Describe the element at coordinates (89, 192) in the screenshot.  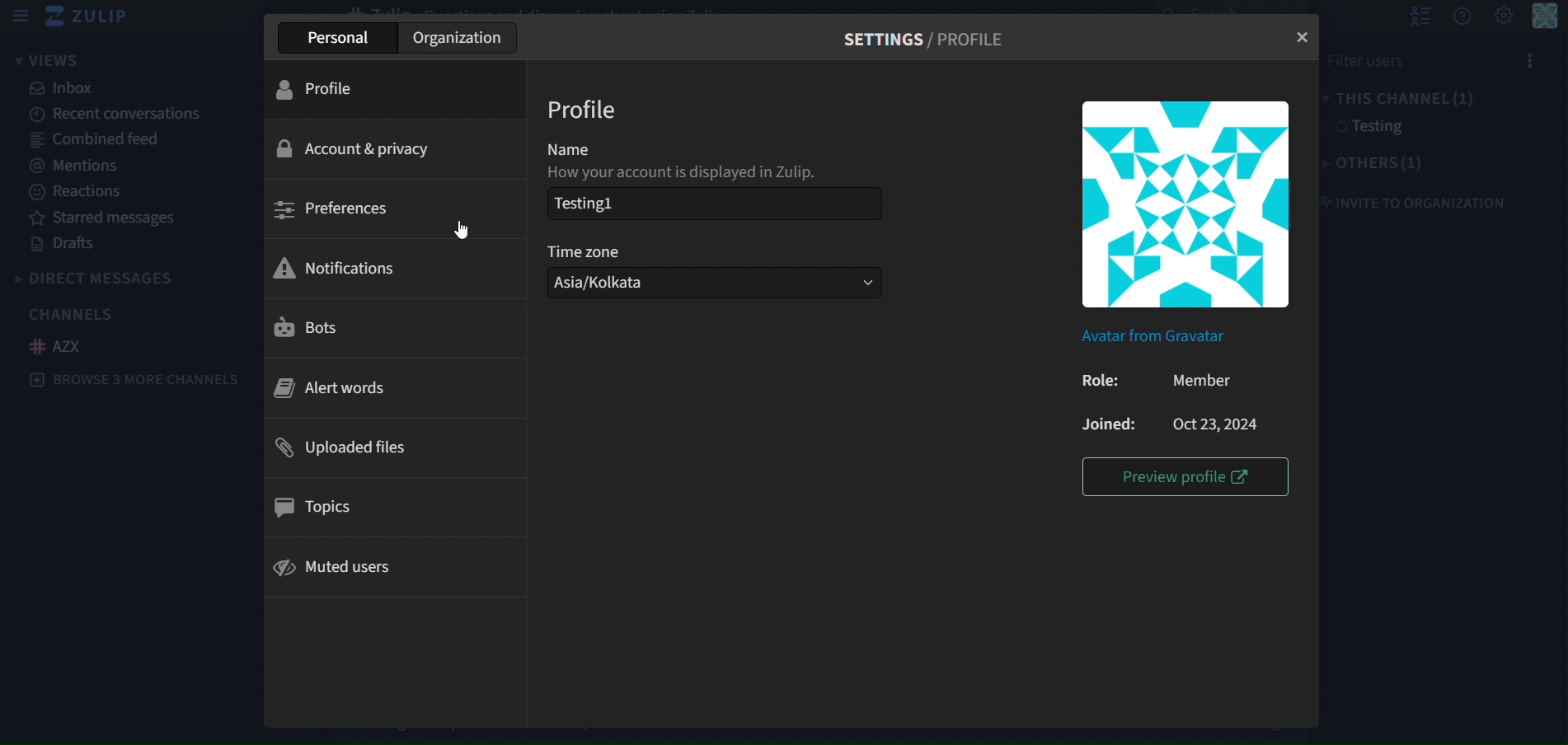
I see `reactions` at that location.